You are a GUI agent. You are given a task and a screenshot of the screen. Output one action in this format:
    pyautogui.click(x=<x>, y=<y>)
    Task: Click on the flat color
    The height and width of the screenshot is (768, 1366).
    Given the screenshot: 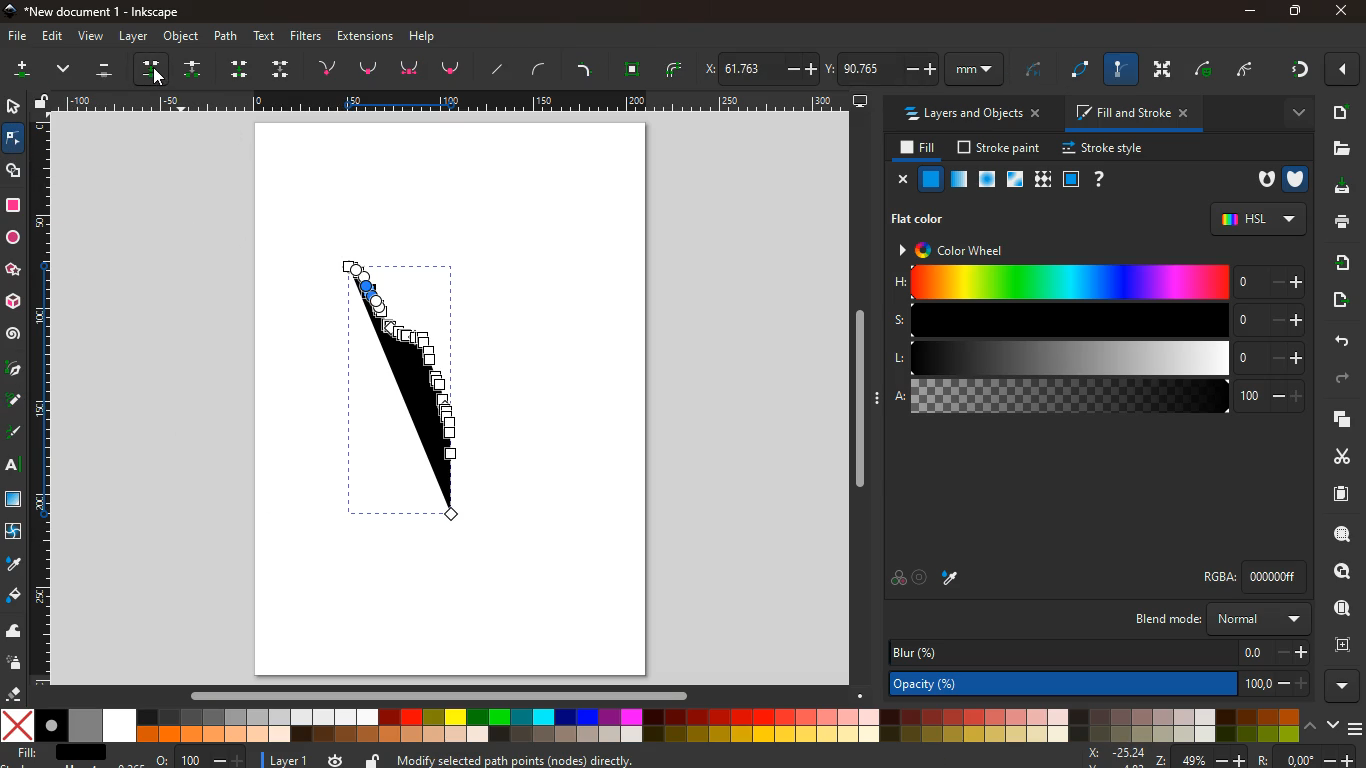 What is the action you would take?
    pyautogui.click(x=925, y=218)
    